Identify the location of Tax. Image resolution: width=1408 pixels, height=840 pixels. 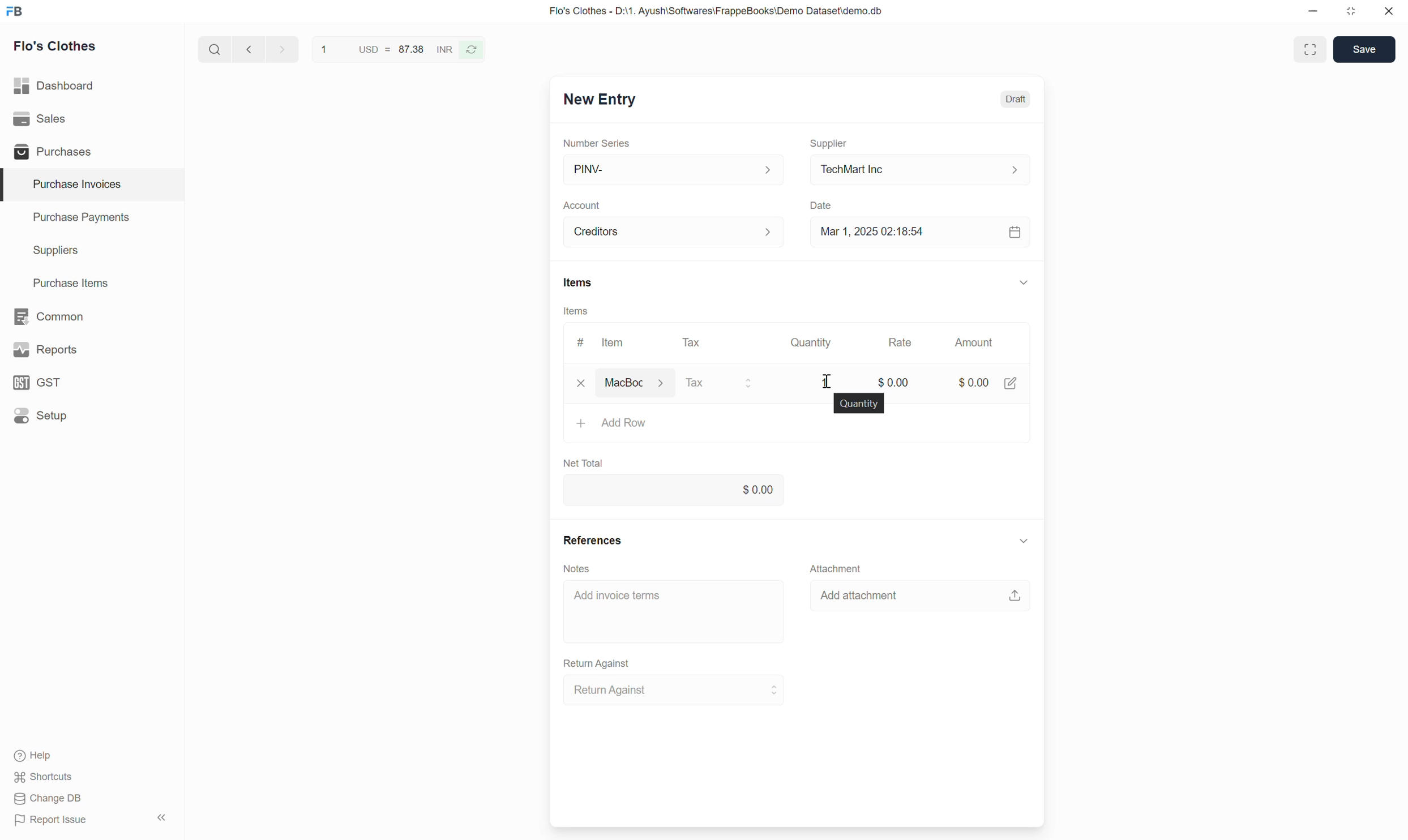
(724, 384).